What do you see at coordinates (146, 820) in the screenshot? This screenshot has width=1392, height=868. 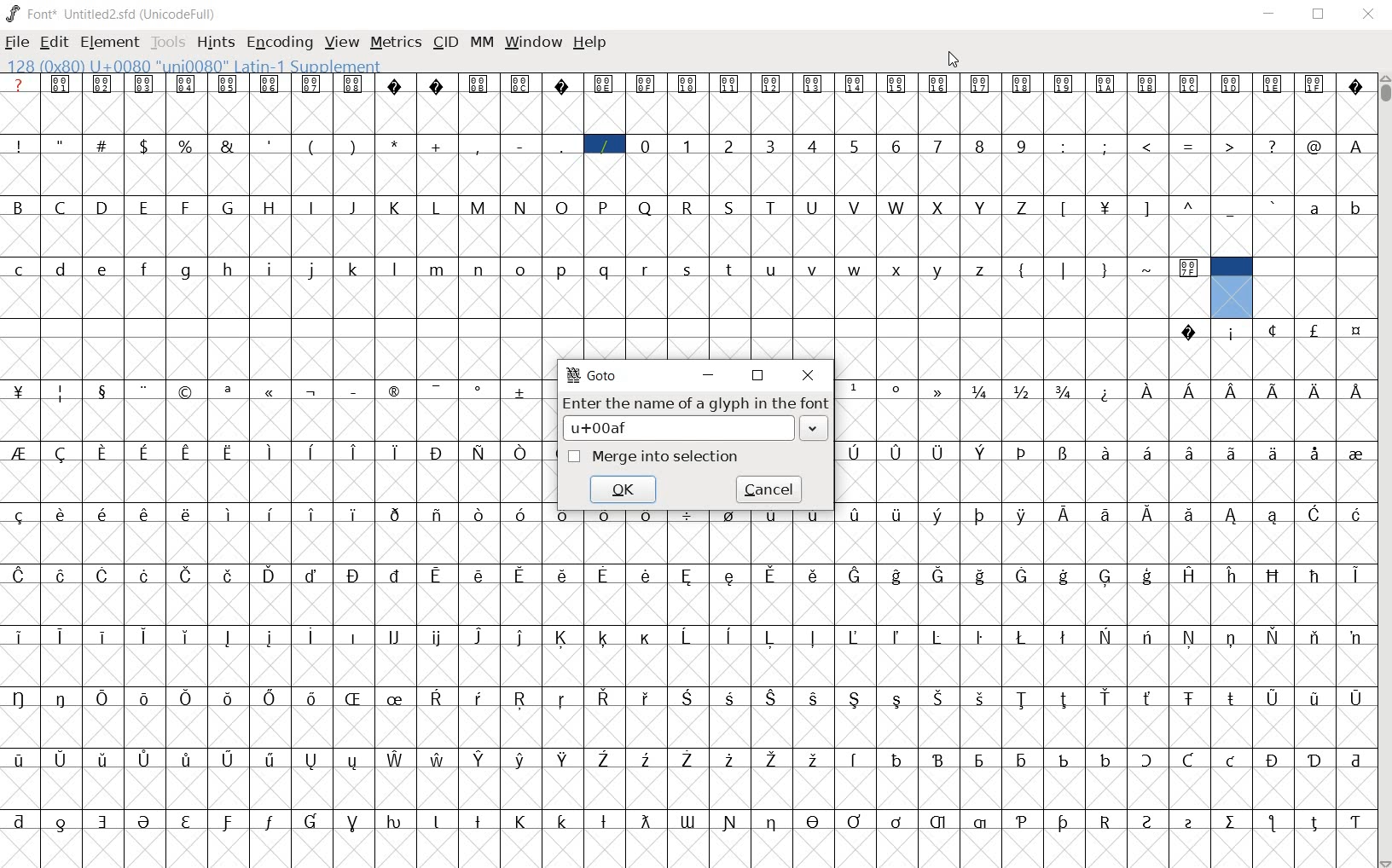 I see `Symbol` at bounding box center [146, 820].